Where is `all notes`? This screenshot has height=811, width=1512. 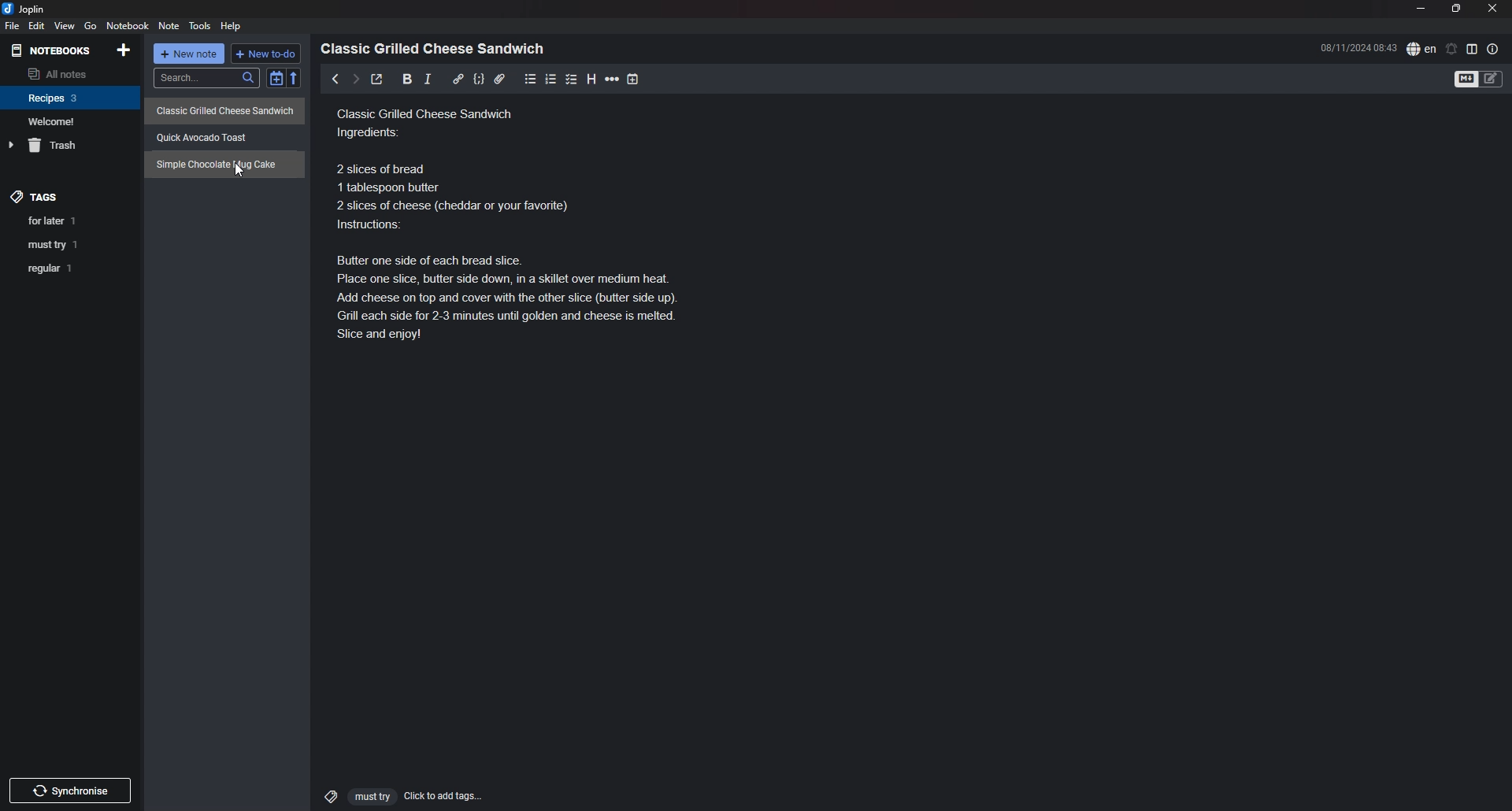 all notes is located at coordinates (68, 73).